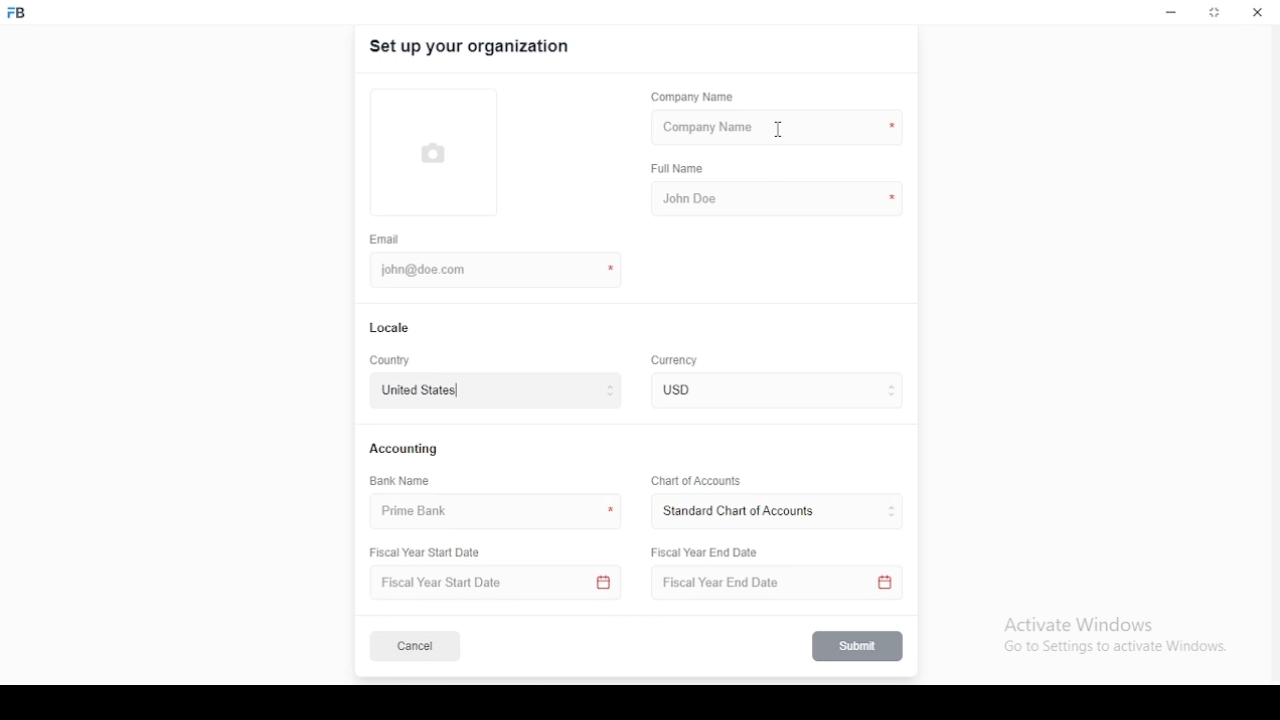 This screenshot has width=1280, height=720. I want to click on accounting, so click(405, 448).